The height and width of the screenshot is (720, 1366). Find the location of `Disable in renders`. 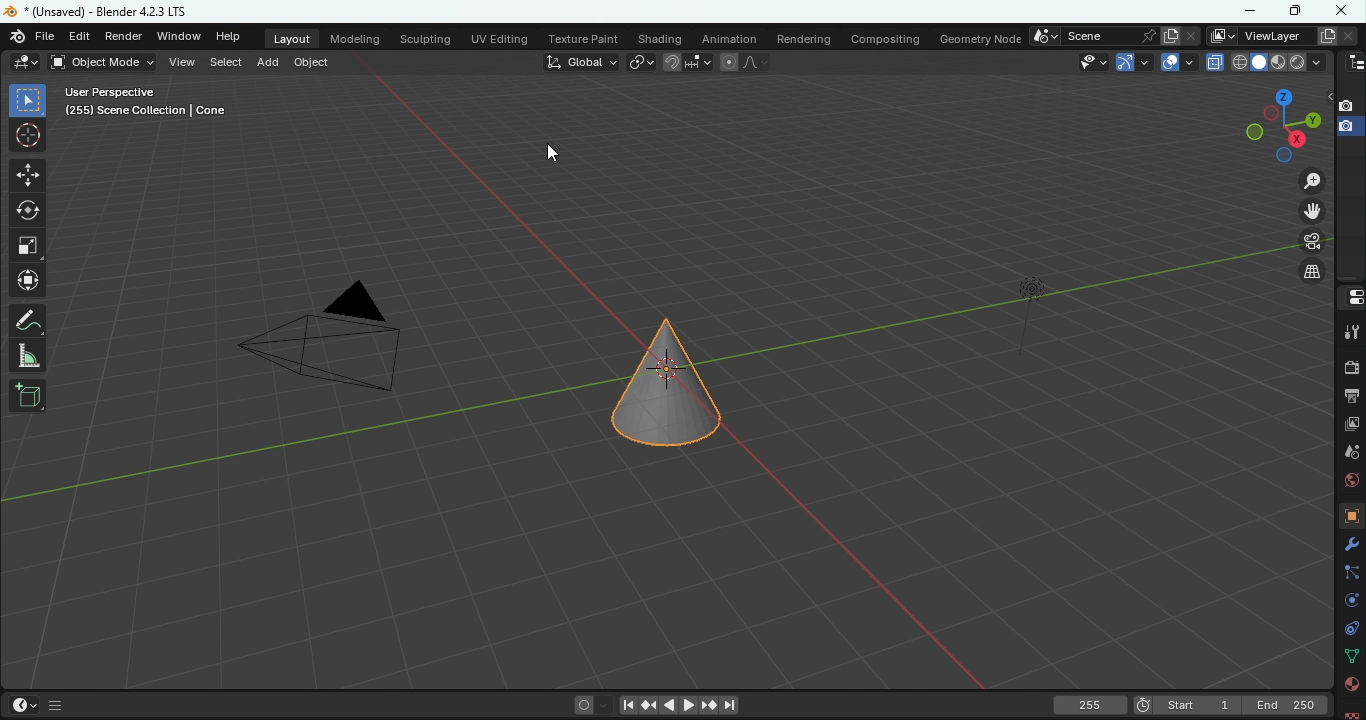

Disable in renders is located at coordinates (1348, 107).